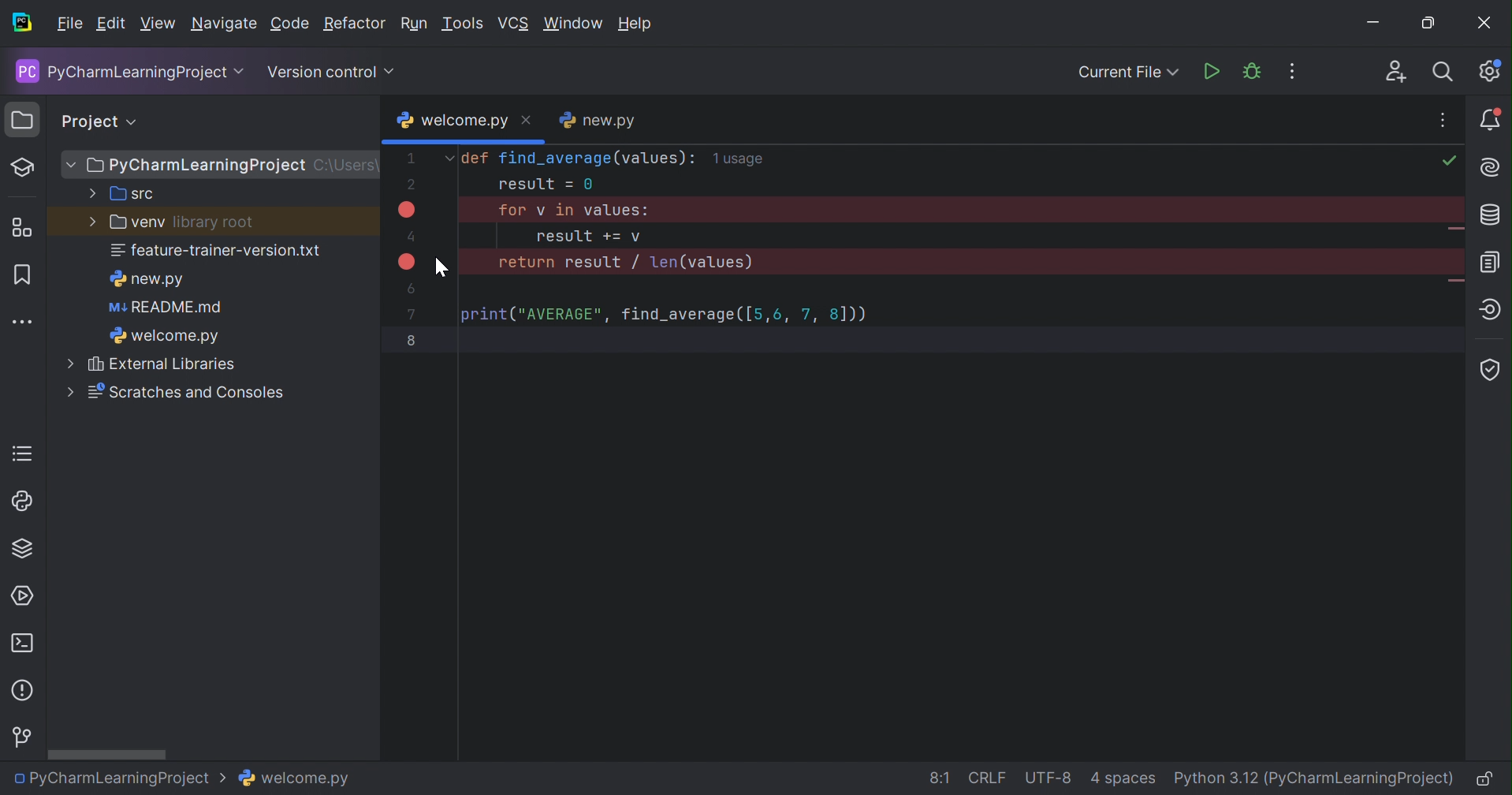 This screenshot has height=795, width=1512. I want to click on Recent Files, Tab Actions and More, so click(1444, 121).